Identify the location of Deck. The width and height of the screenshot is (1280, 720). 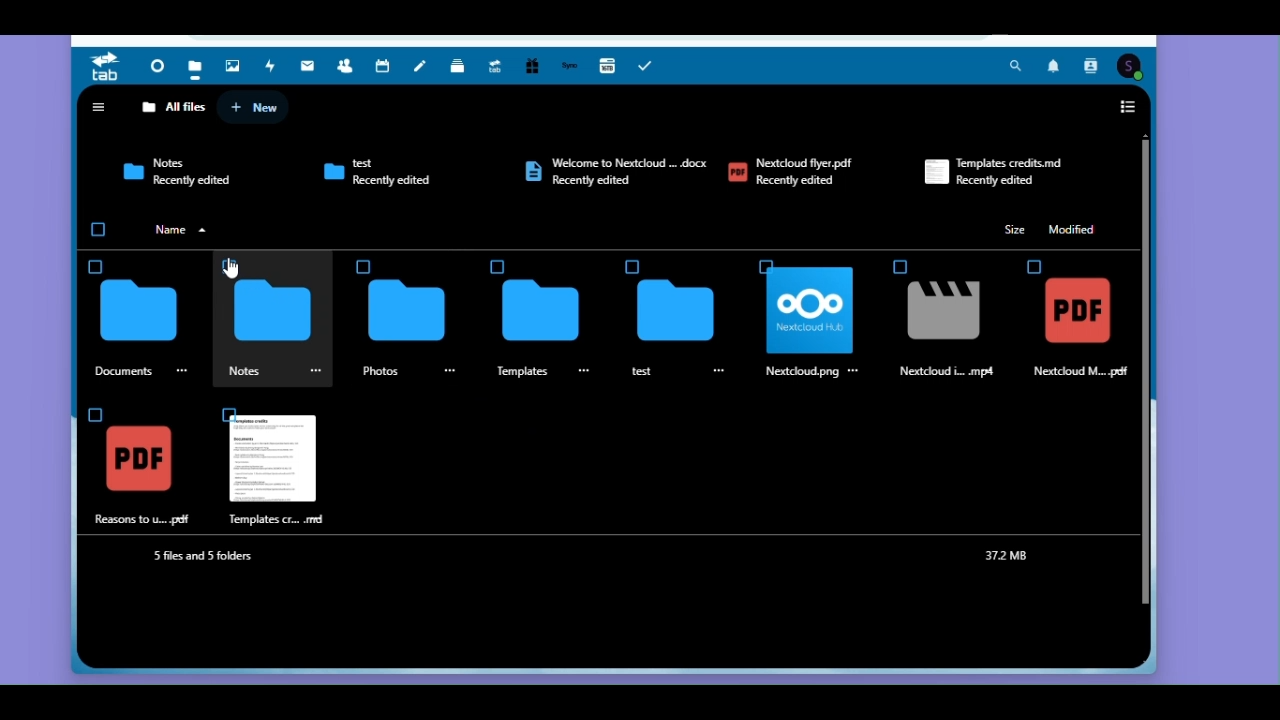
(460, 68).